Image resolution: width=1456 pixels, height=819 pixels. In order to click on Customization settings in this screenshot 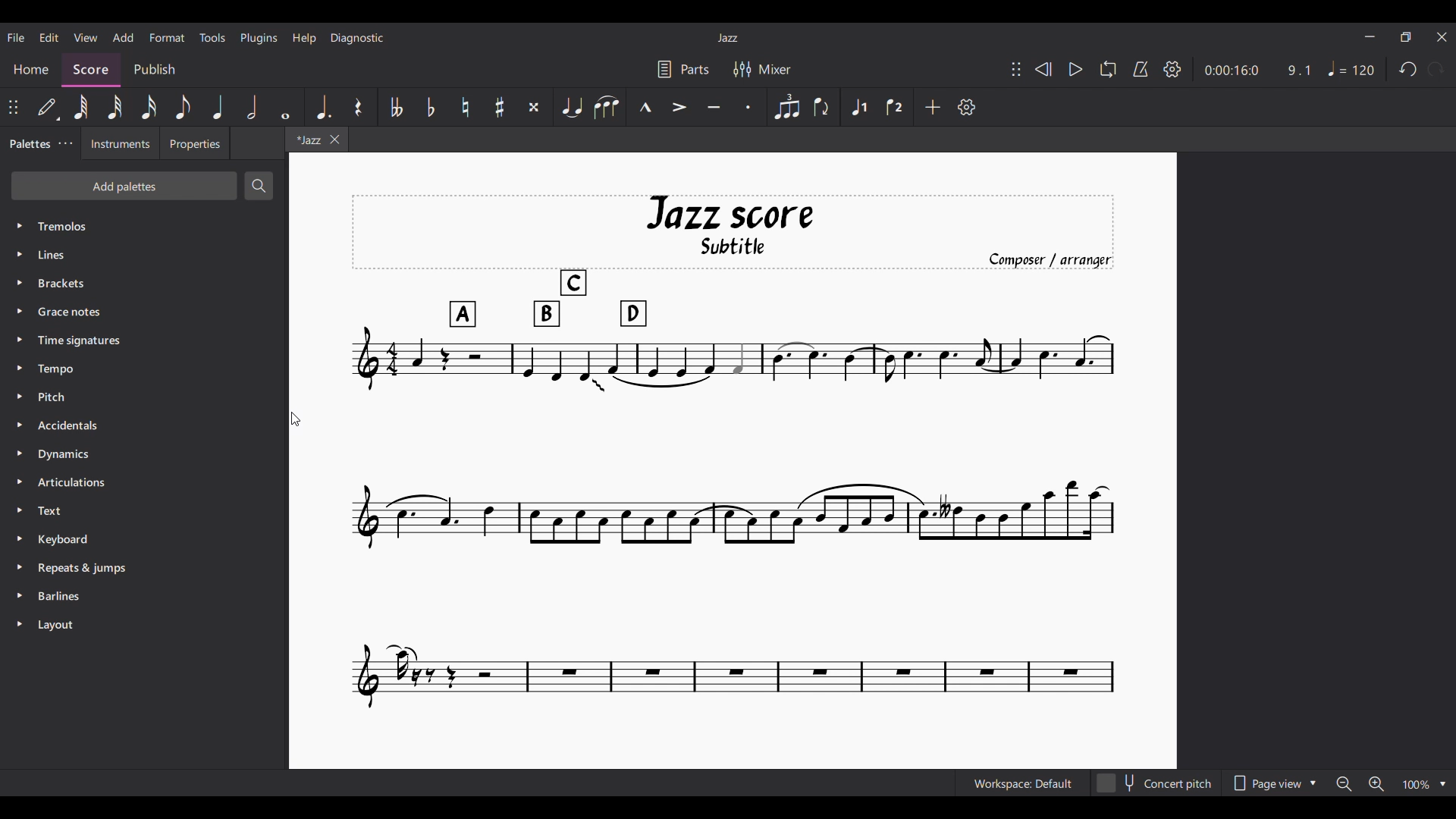, I will do `click(966, 107)`.